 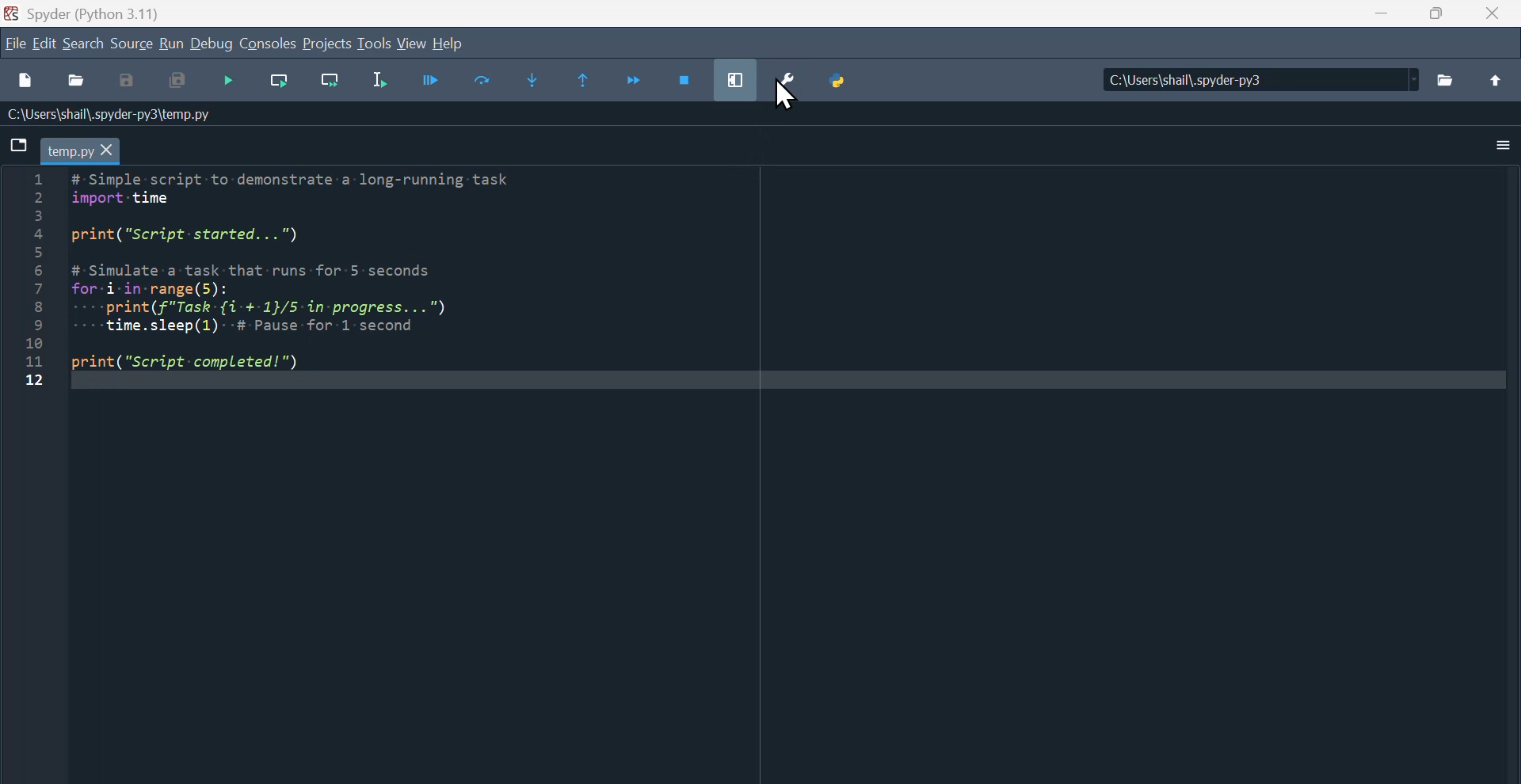 What do you see at coordinates (1489, 146) in the screenshot?
I see `More options` at bounding box center [1489, 146].